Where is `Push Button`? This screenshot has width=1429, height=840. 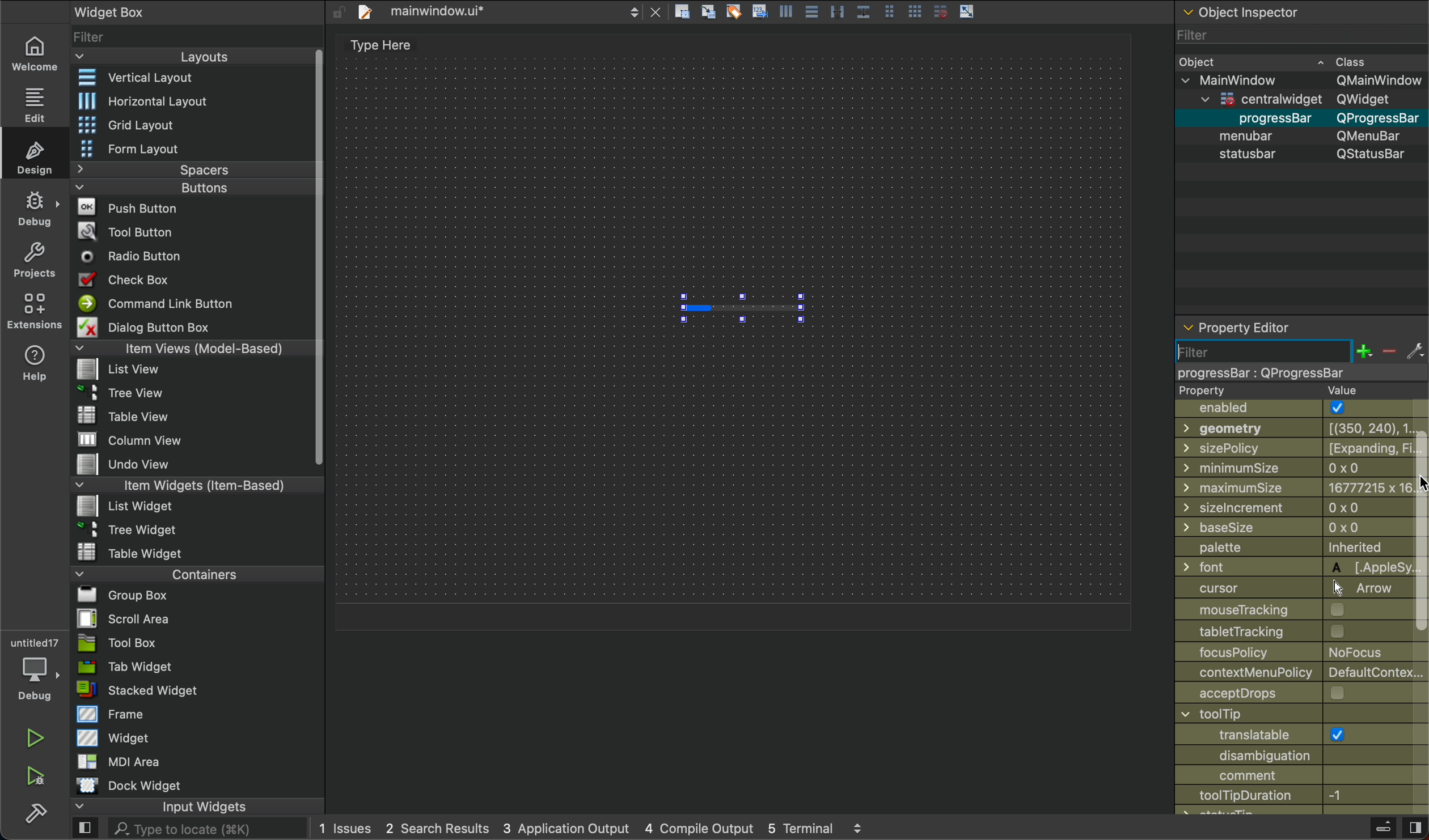 Push Button is located at coordinates (132, 206).